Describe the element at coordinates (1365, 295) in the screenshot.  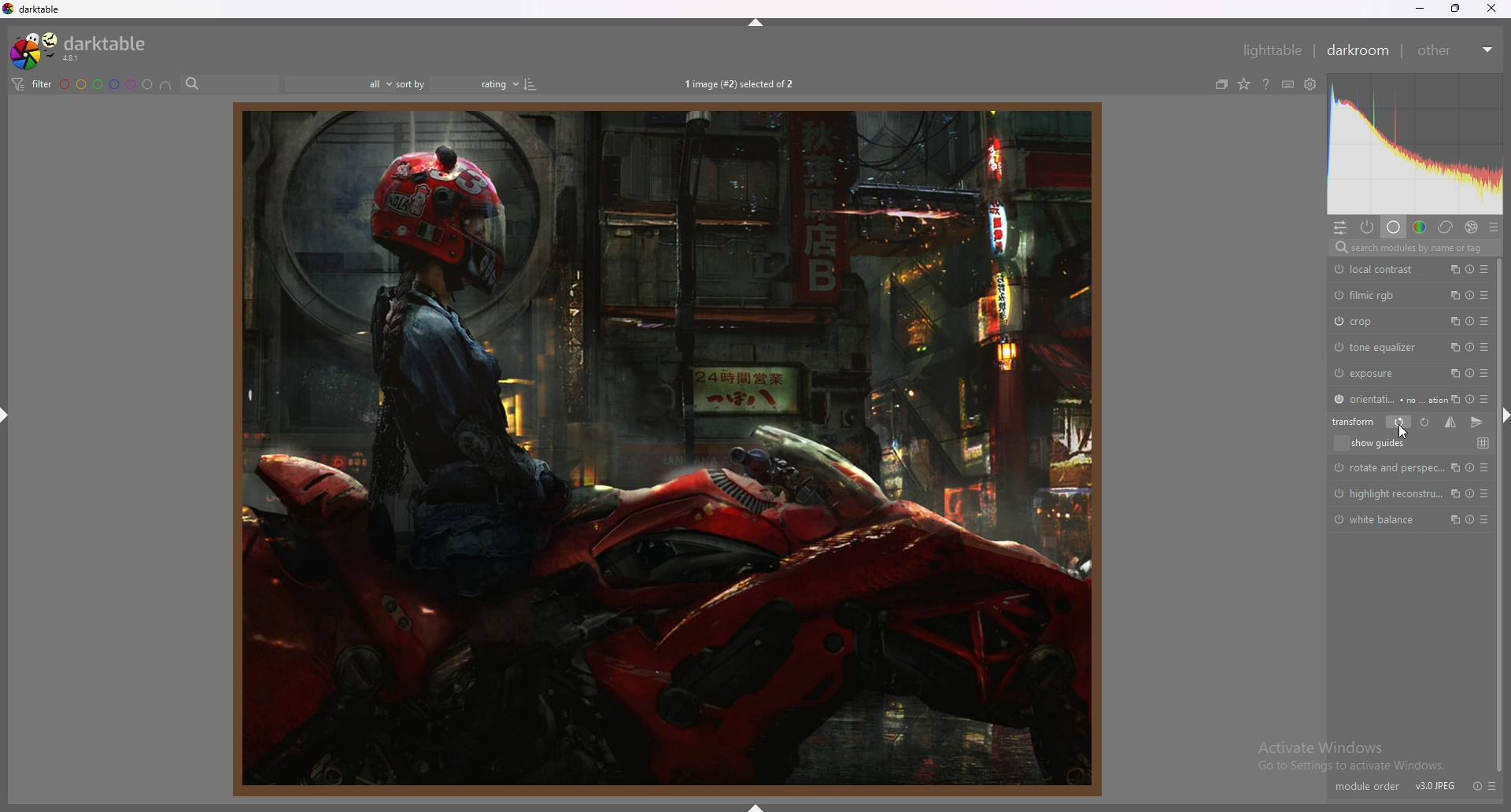
I see `filmic rgb` at that location.